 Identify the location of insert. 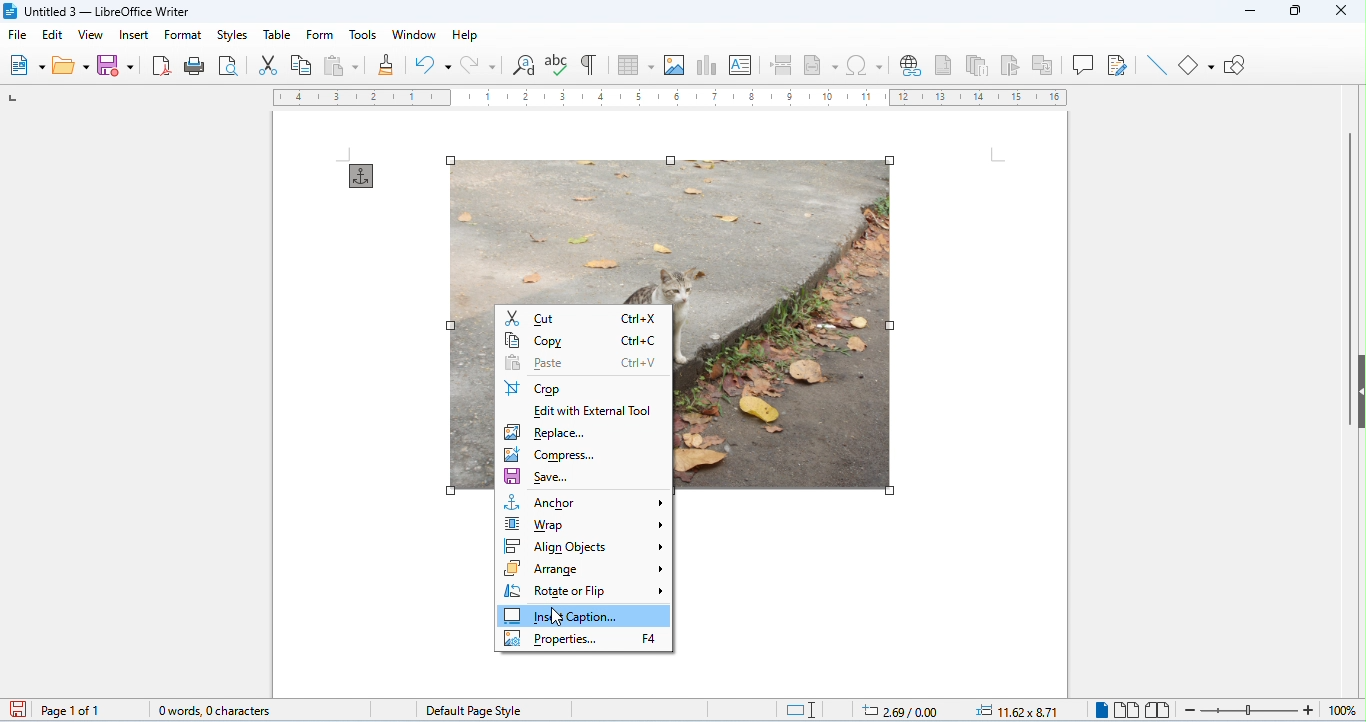
(133, 34).